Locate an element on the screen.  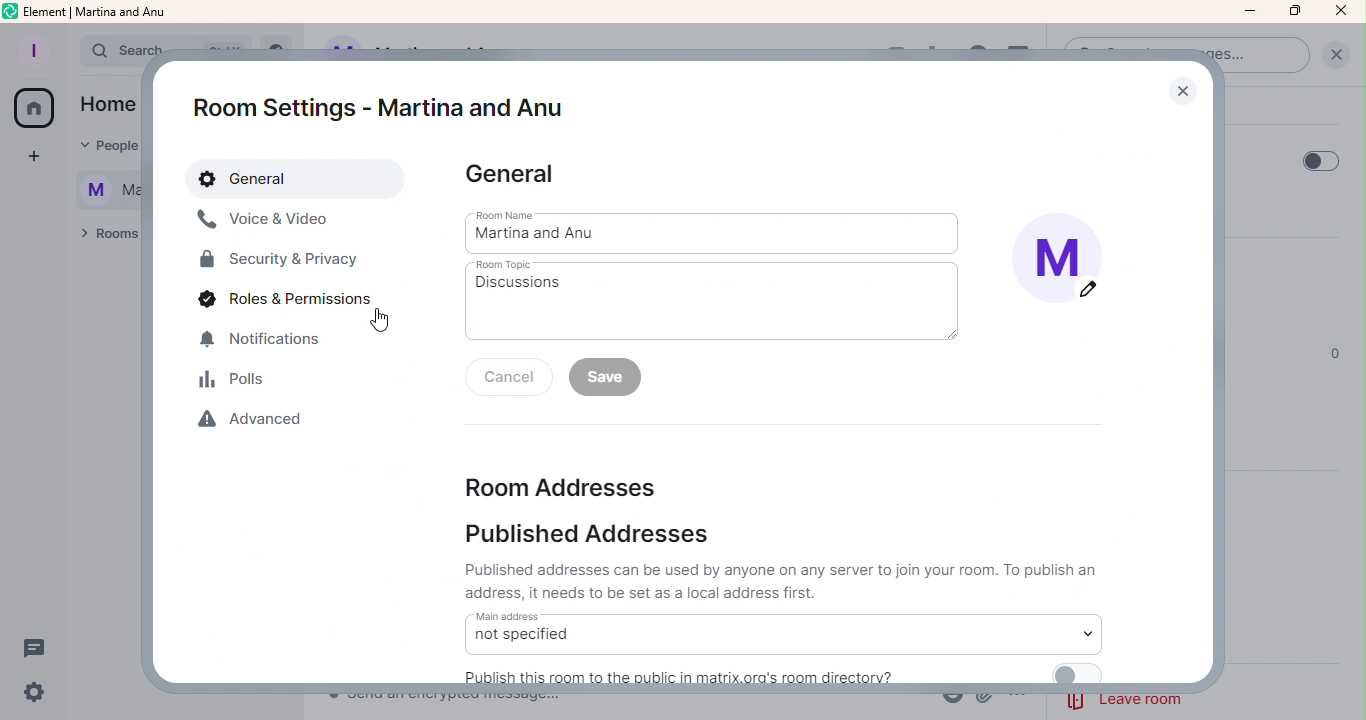
Roles and permissions is located at coordinates (280, 303).